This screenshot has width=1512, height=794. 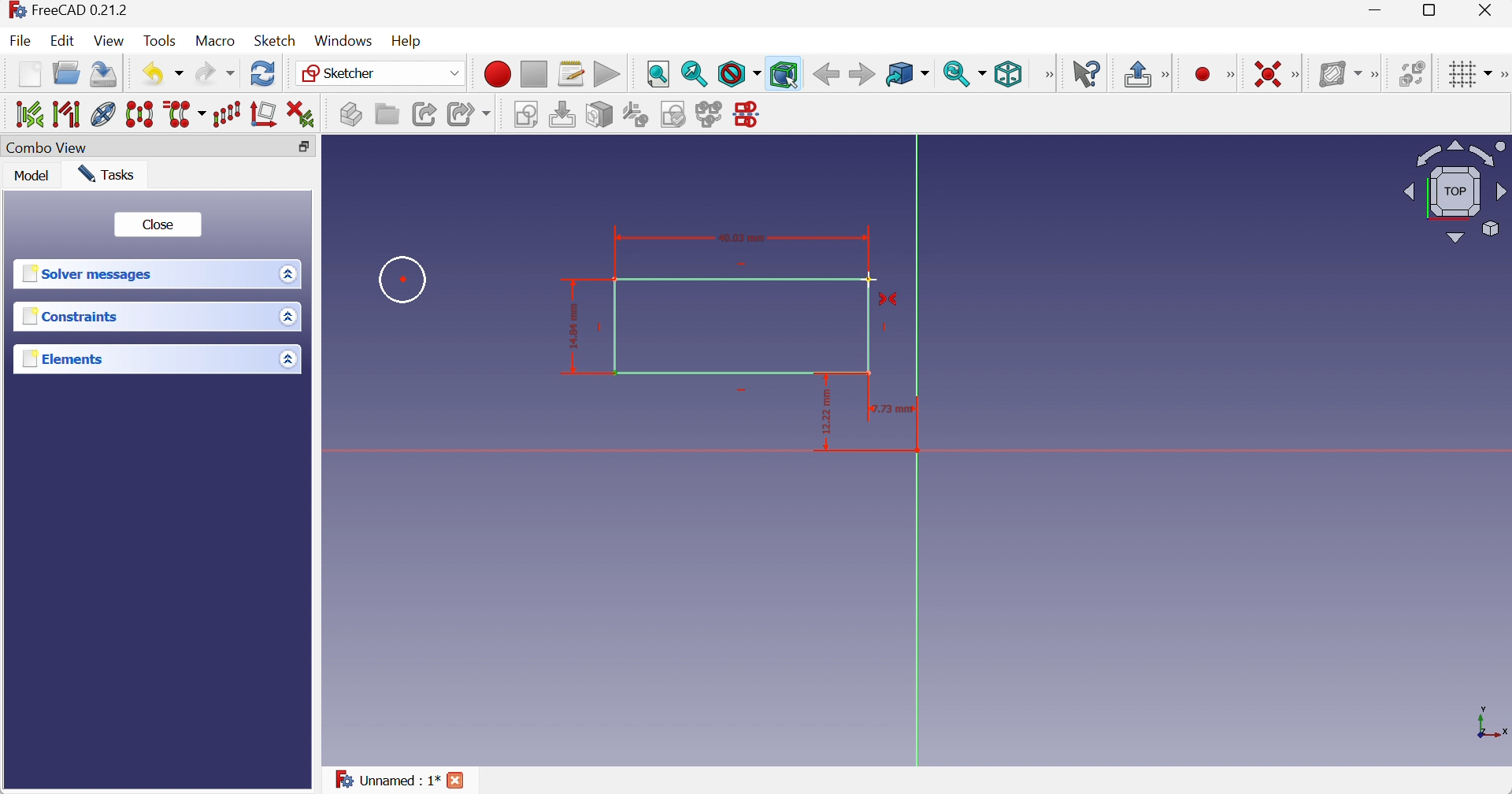 What do you see at coordinates (61, 40) in the screenshot?
I see `Edit` at bounding box center [61, 40].